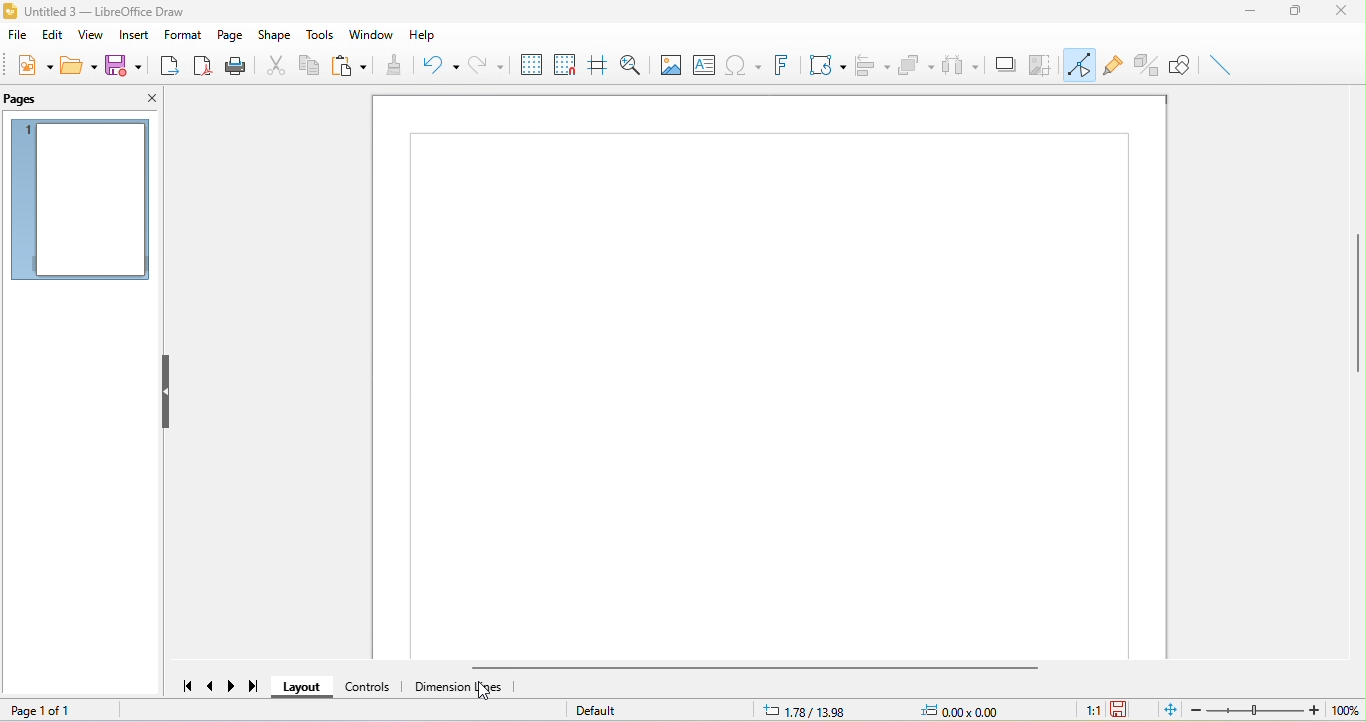 This screenshot has height=722, width=1366. What do you see at coordinates (760, 668) in the screenshot?
I see `horizontal scroll bar` at bounding box center [760, 668].